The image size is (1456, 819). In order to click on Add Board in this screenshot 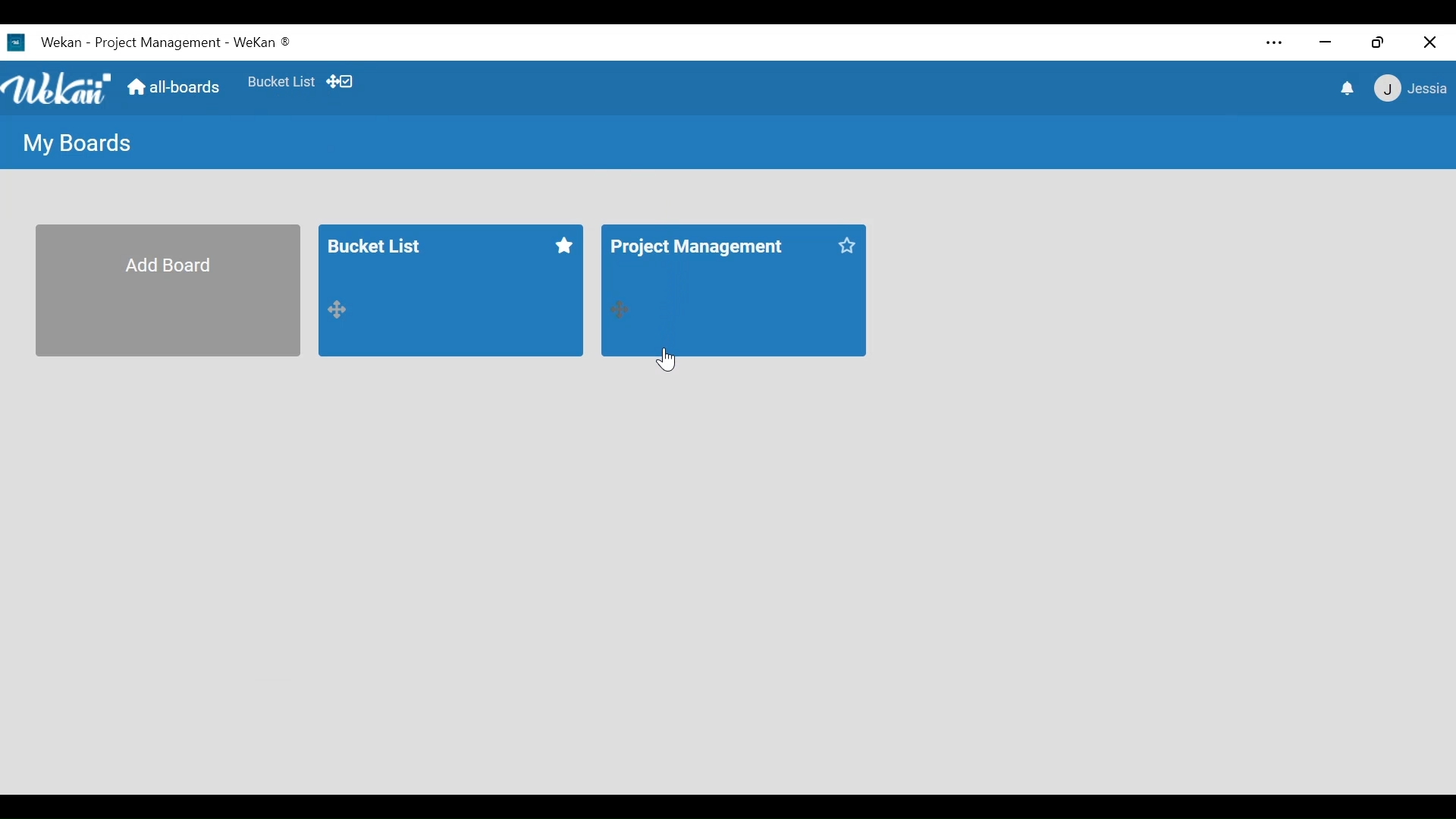, I will do `click(169, 290)`.